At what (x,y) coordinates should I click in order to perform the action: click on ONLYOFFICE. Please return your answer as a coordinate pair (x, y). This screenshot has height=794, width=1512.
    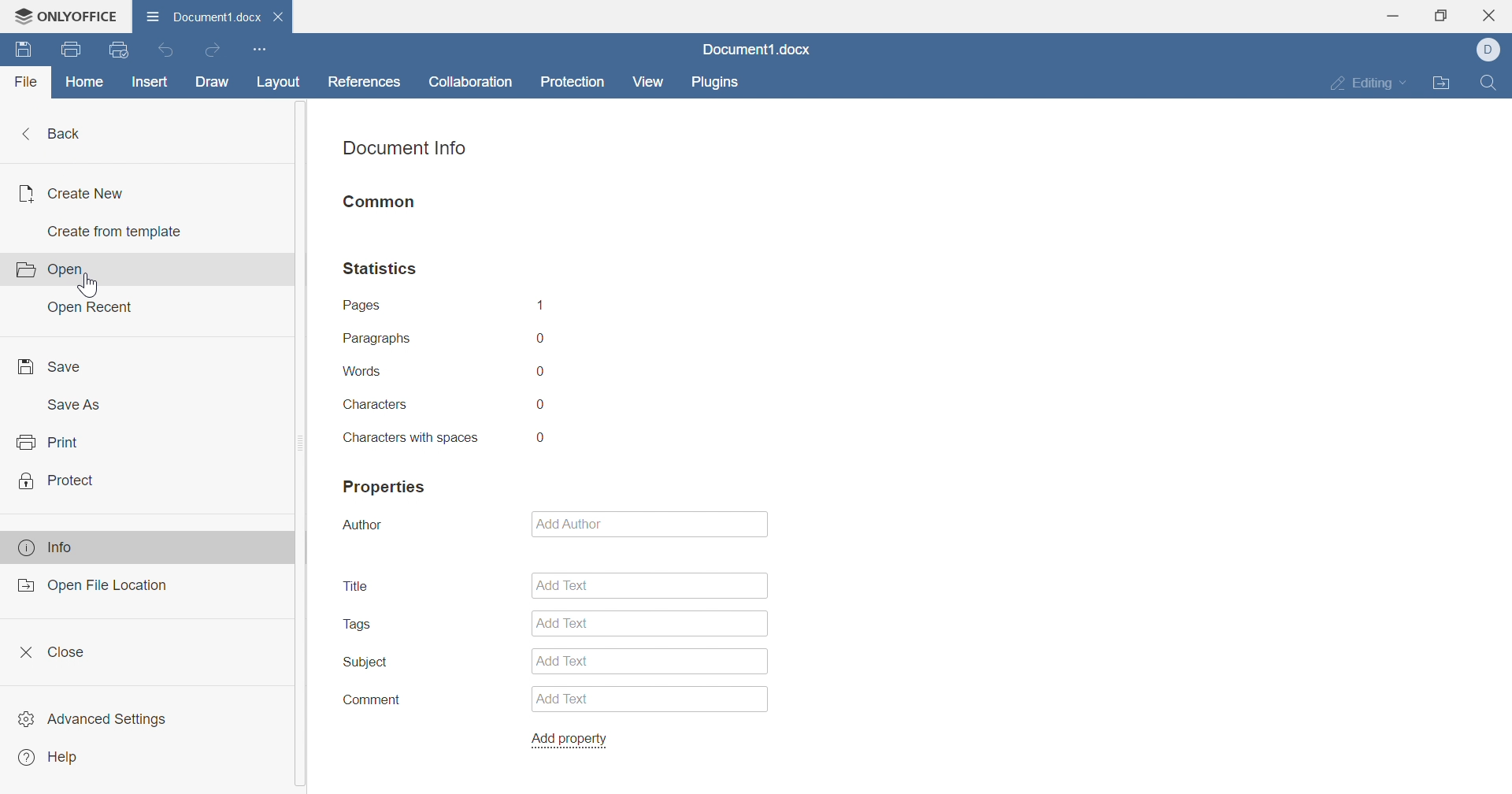
    Looking at the image, I should click on (63, 18).